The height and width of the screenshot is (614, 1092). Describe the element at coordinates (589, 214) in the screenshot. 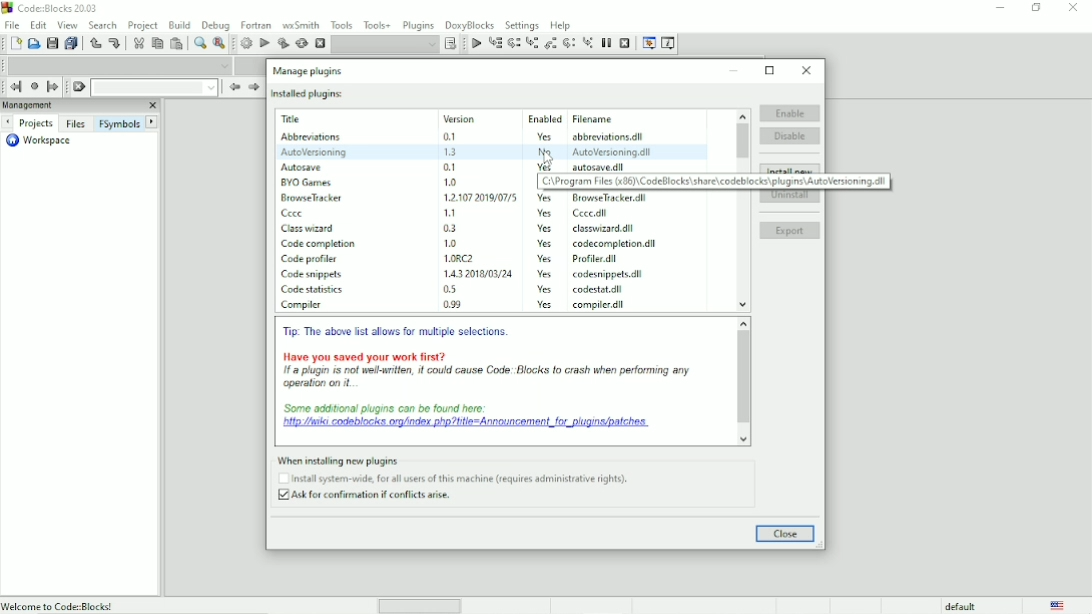

I see `file` at that location.